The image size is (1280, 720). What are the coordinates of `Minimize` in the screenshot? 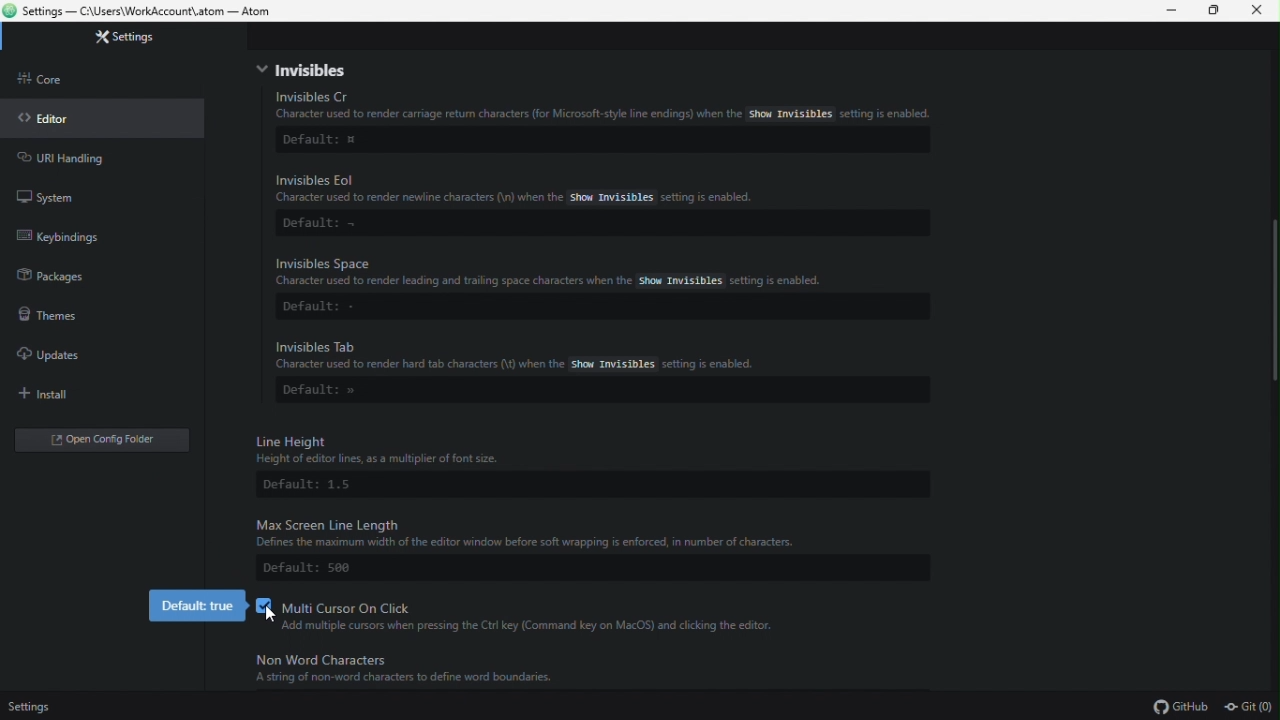 It's located at (1165, 12).